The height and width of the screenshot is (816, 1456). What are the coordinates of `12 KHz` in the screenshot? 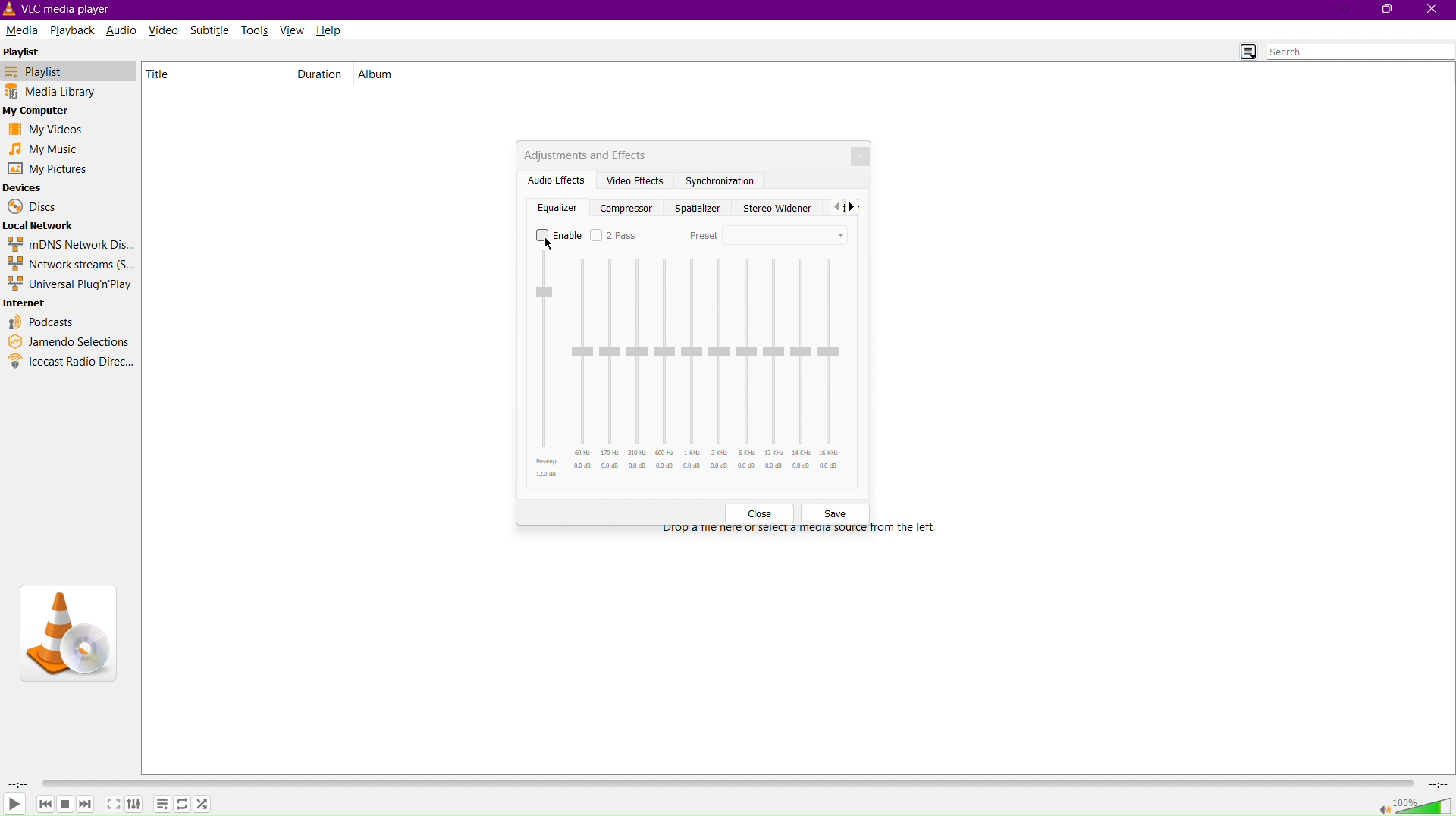 It's located at (772, 364).